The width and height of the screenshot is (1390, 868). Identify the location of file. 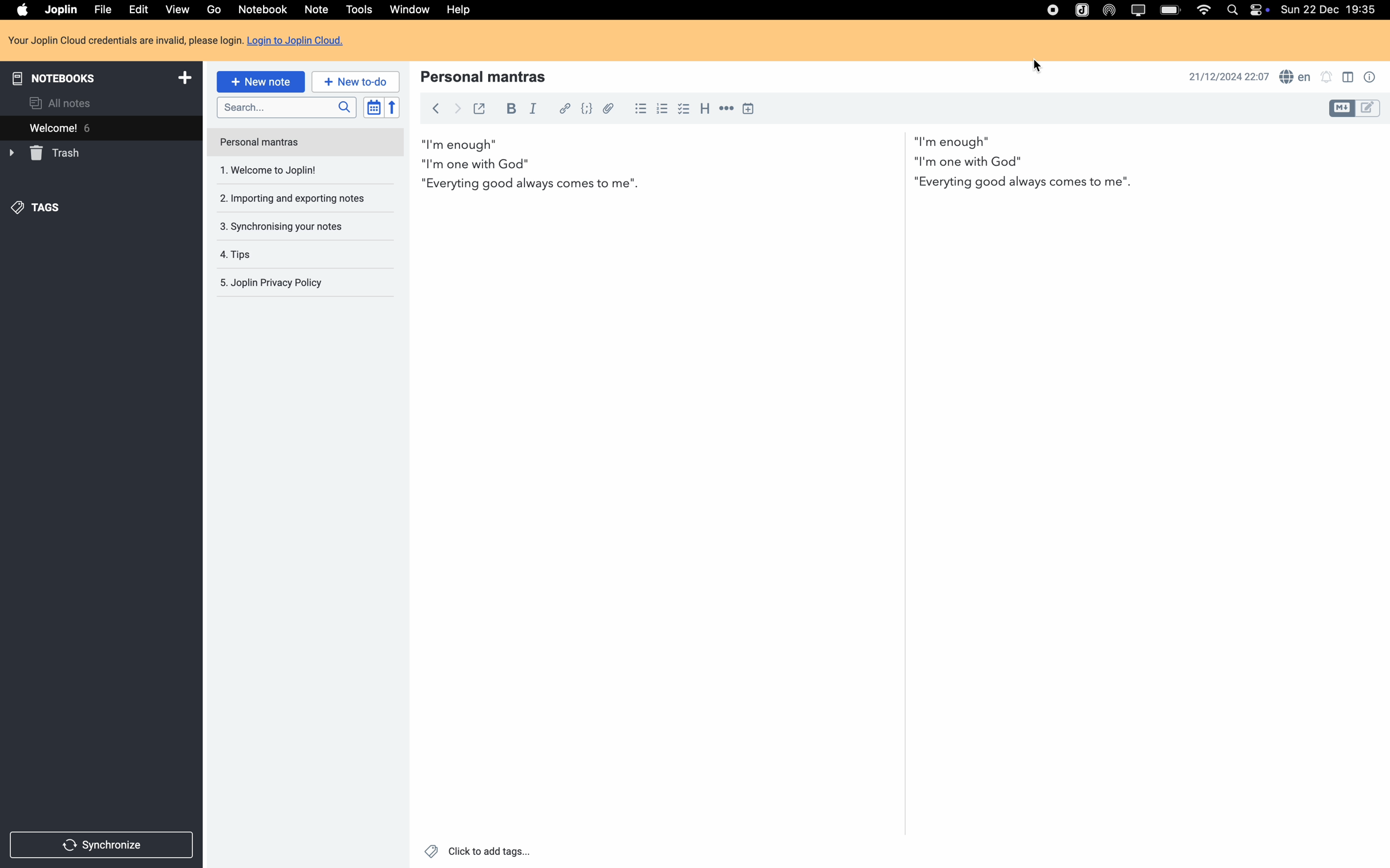
(103, 9).